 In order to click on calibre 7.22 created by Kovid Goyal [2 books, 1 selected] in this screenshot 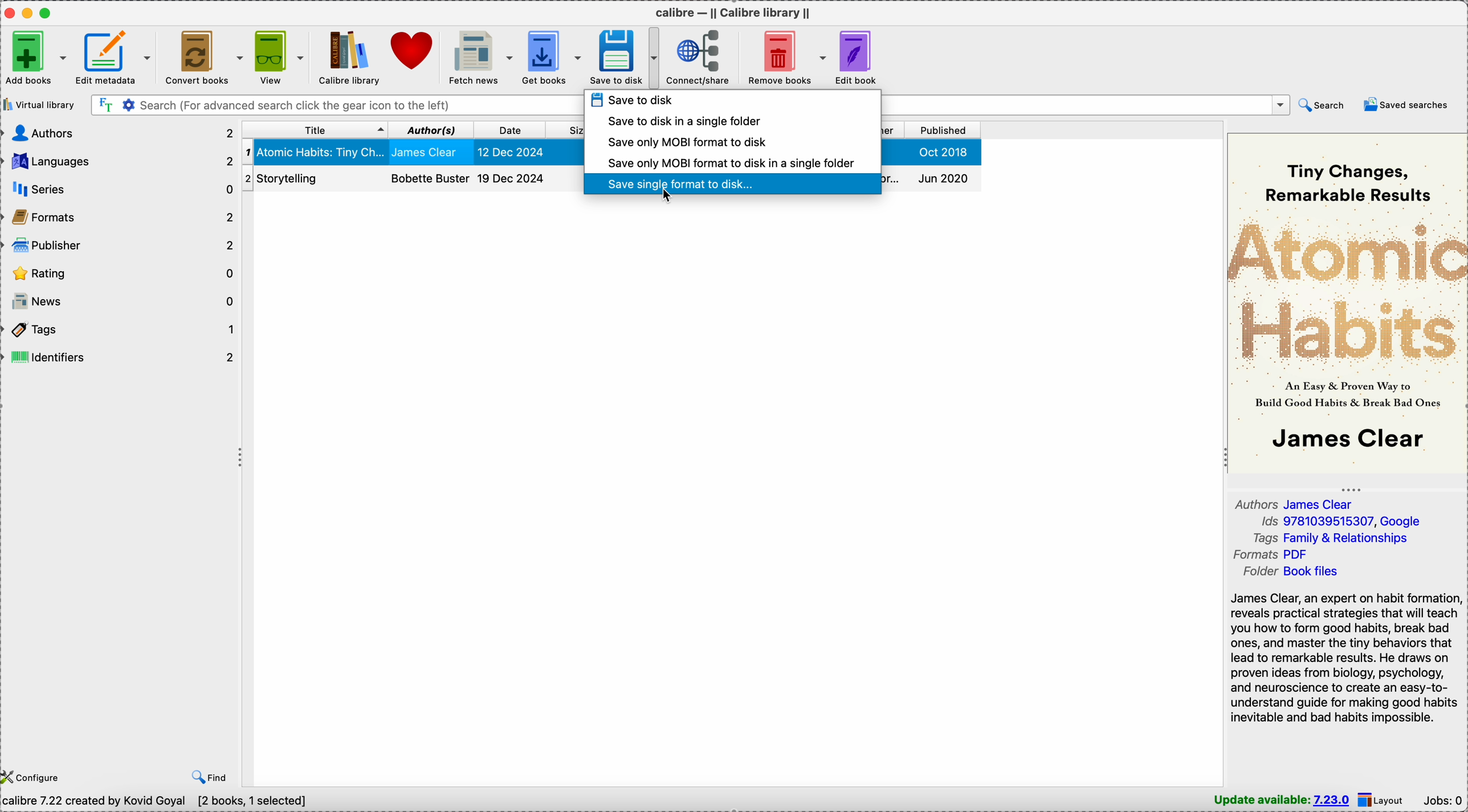, I will do `click(153, 803)`.